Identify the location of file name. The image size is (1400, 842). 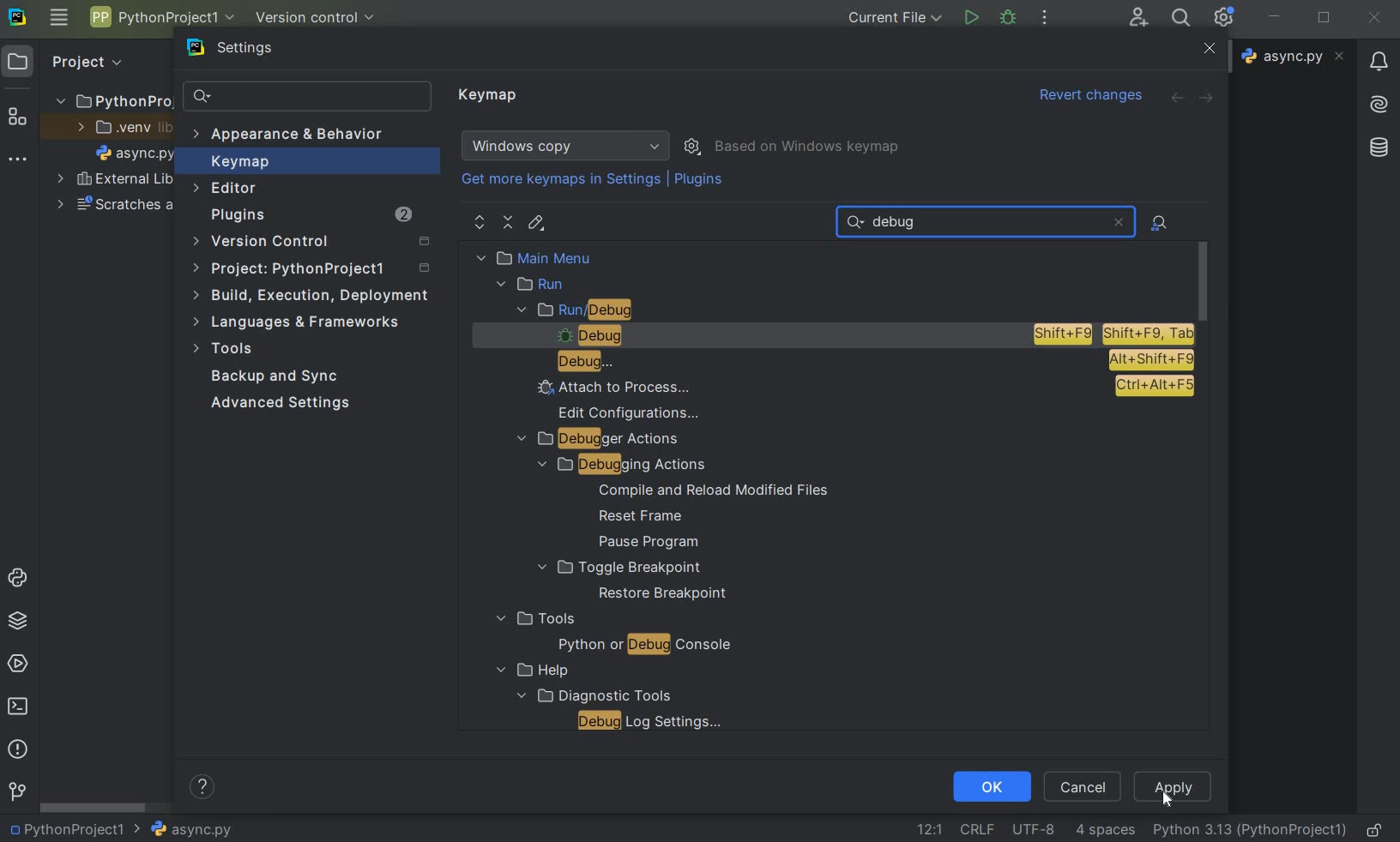
(1295, 56).